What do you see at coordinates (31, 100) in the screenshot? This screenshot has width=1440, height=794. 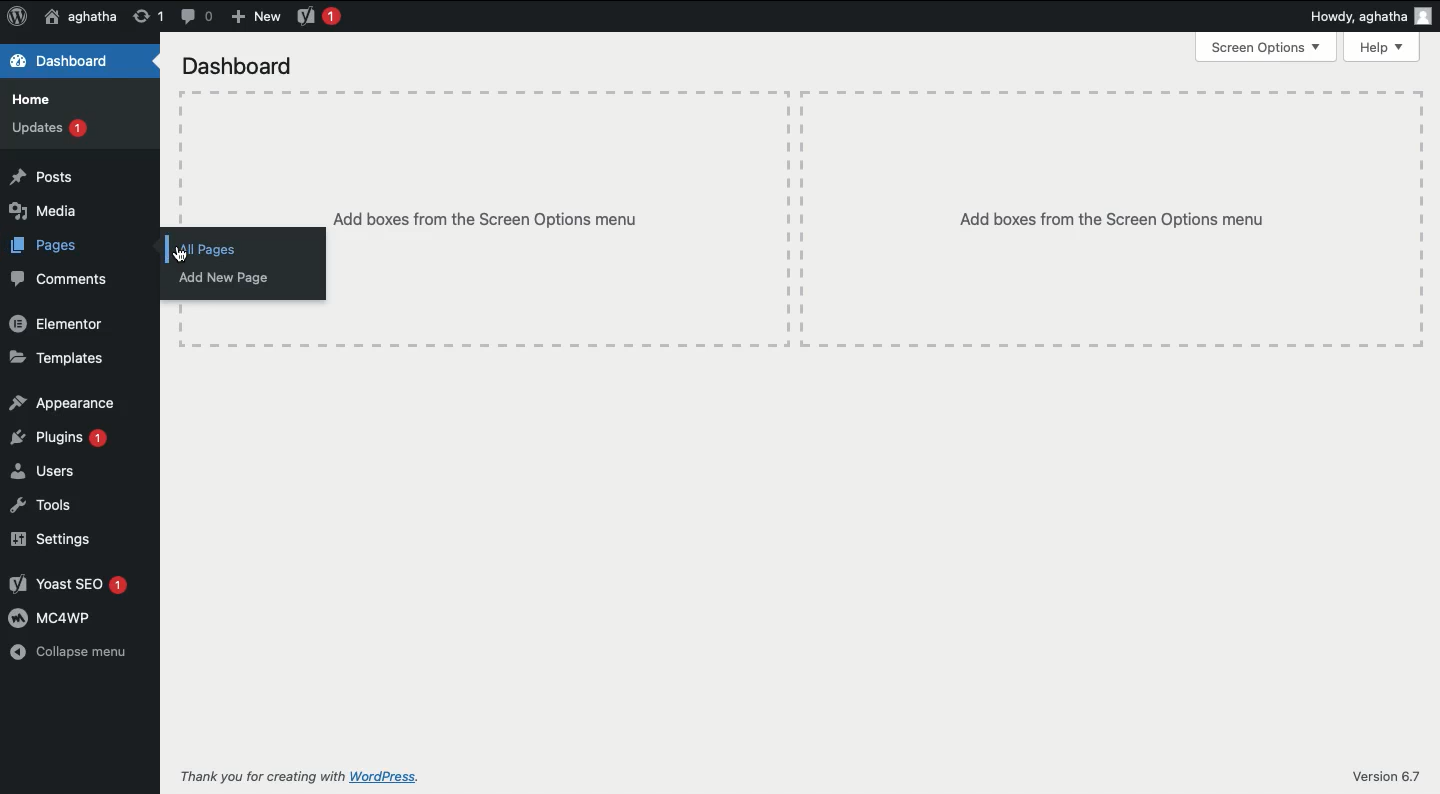 I see `Home` at bounding box center [31, 100].